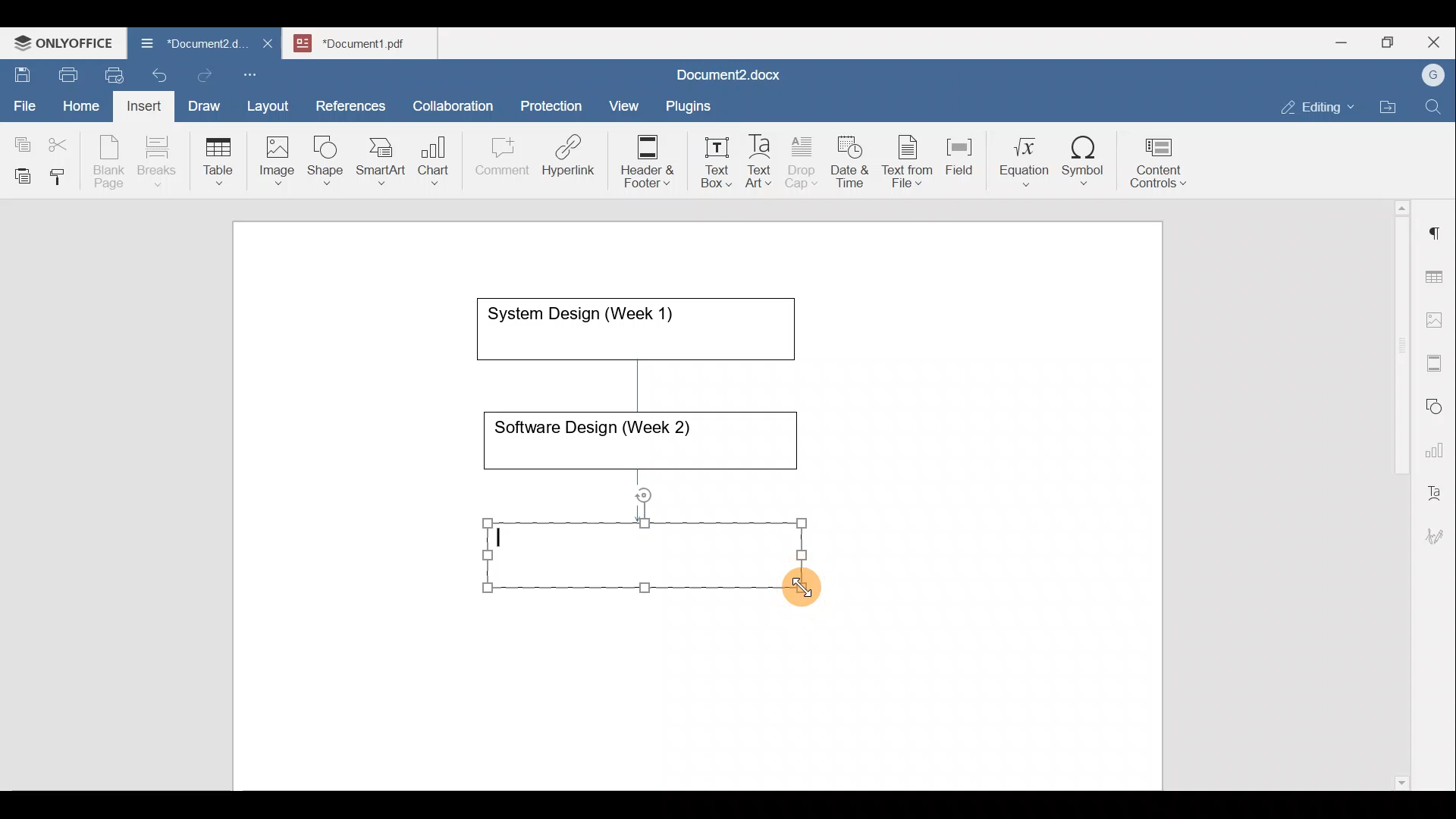  What do you see at coordinates (725, 77) in the screenshot?
I see `Document name` at bounding box center [725, 77].